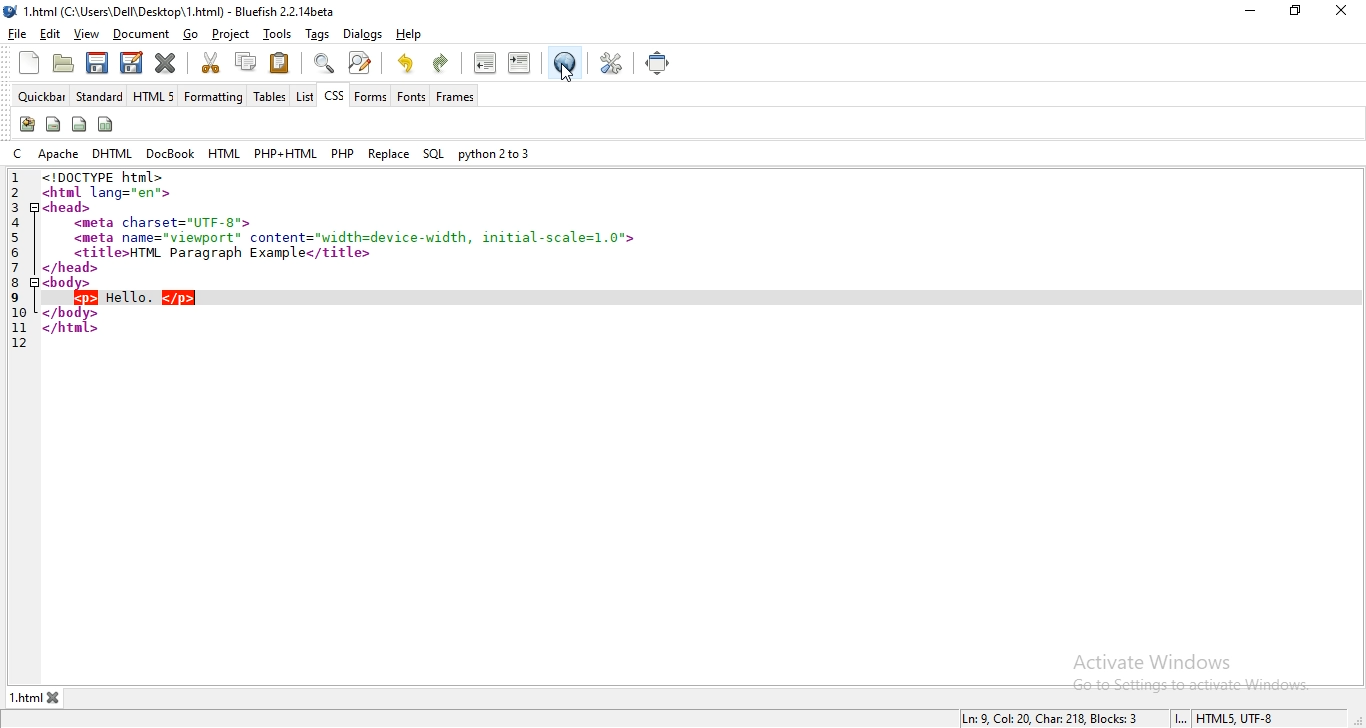 This screenshot has width=1366, height=728. What do you see at coordinates (568, 74) in the screenshot?
I see `cursor` at bounding box center [568, 74].